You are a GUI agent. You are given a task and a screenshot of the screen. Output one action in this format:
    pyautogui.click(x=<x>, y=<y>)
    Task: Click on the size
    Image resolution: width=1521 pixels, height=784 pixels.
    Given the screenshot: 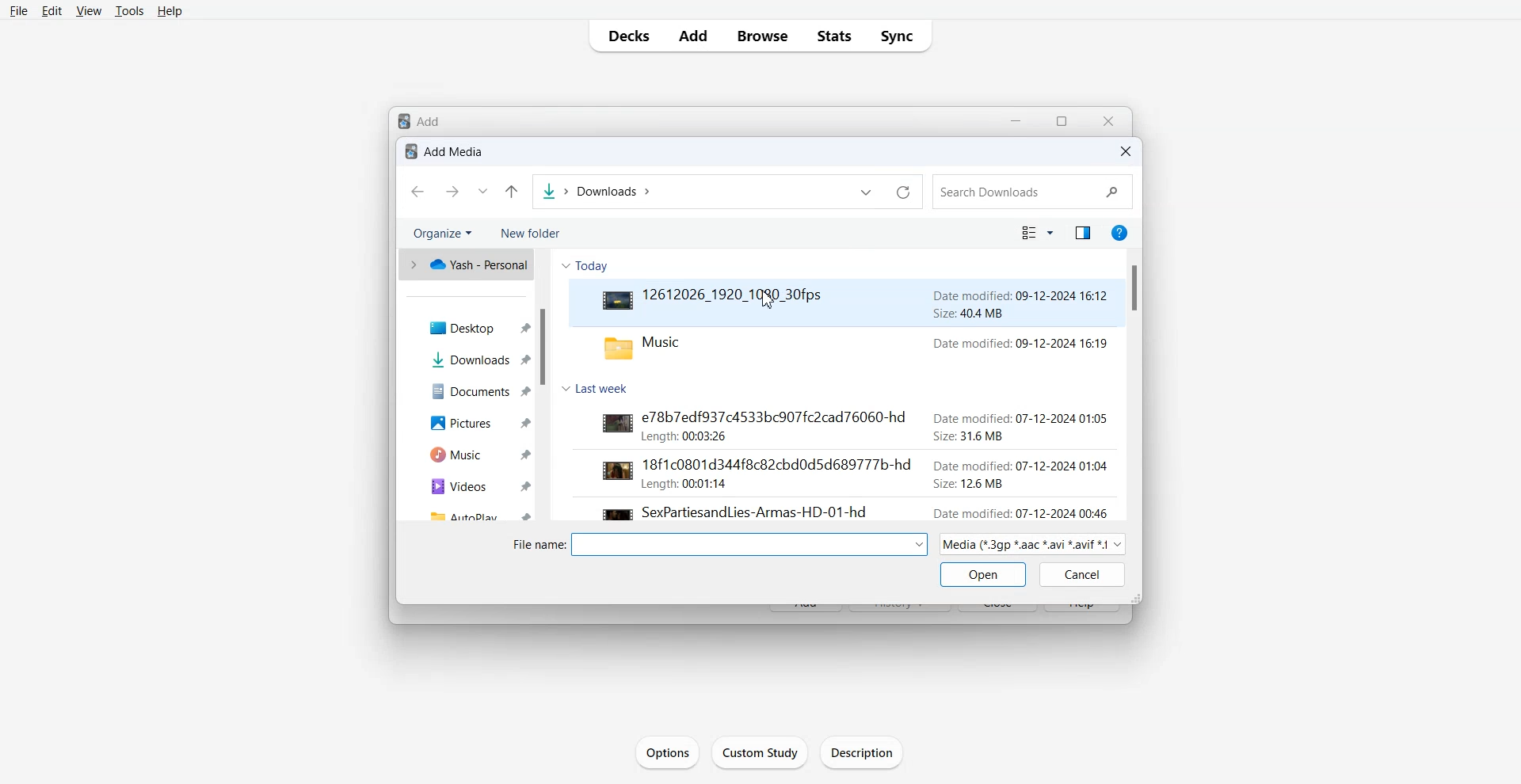 What is the action you would take?
    pyautogui.click(x=969, y=436)
    